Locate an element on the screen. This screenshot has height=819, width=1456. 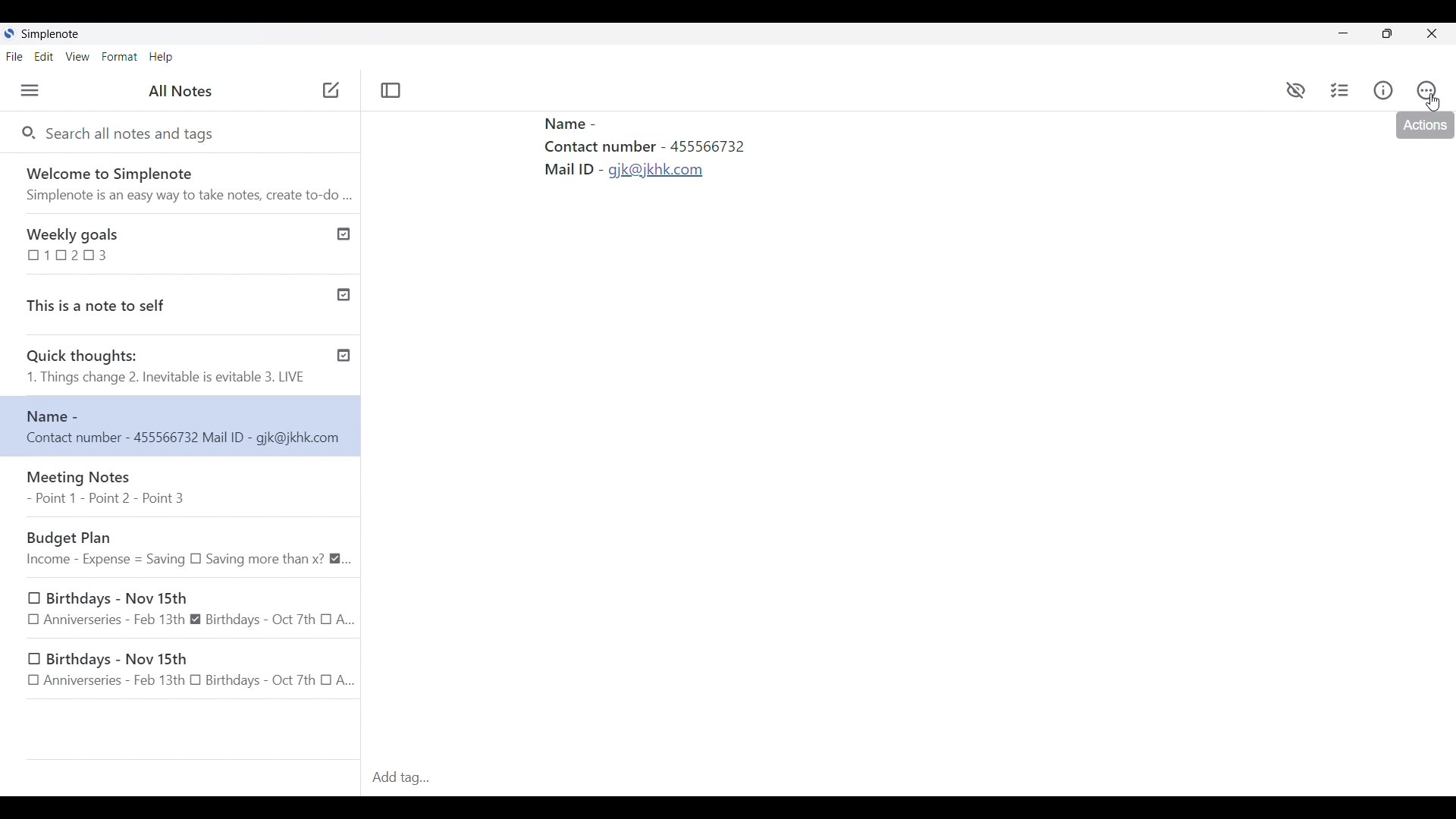
Menu is located at coordinates (30, 90).